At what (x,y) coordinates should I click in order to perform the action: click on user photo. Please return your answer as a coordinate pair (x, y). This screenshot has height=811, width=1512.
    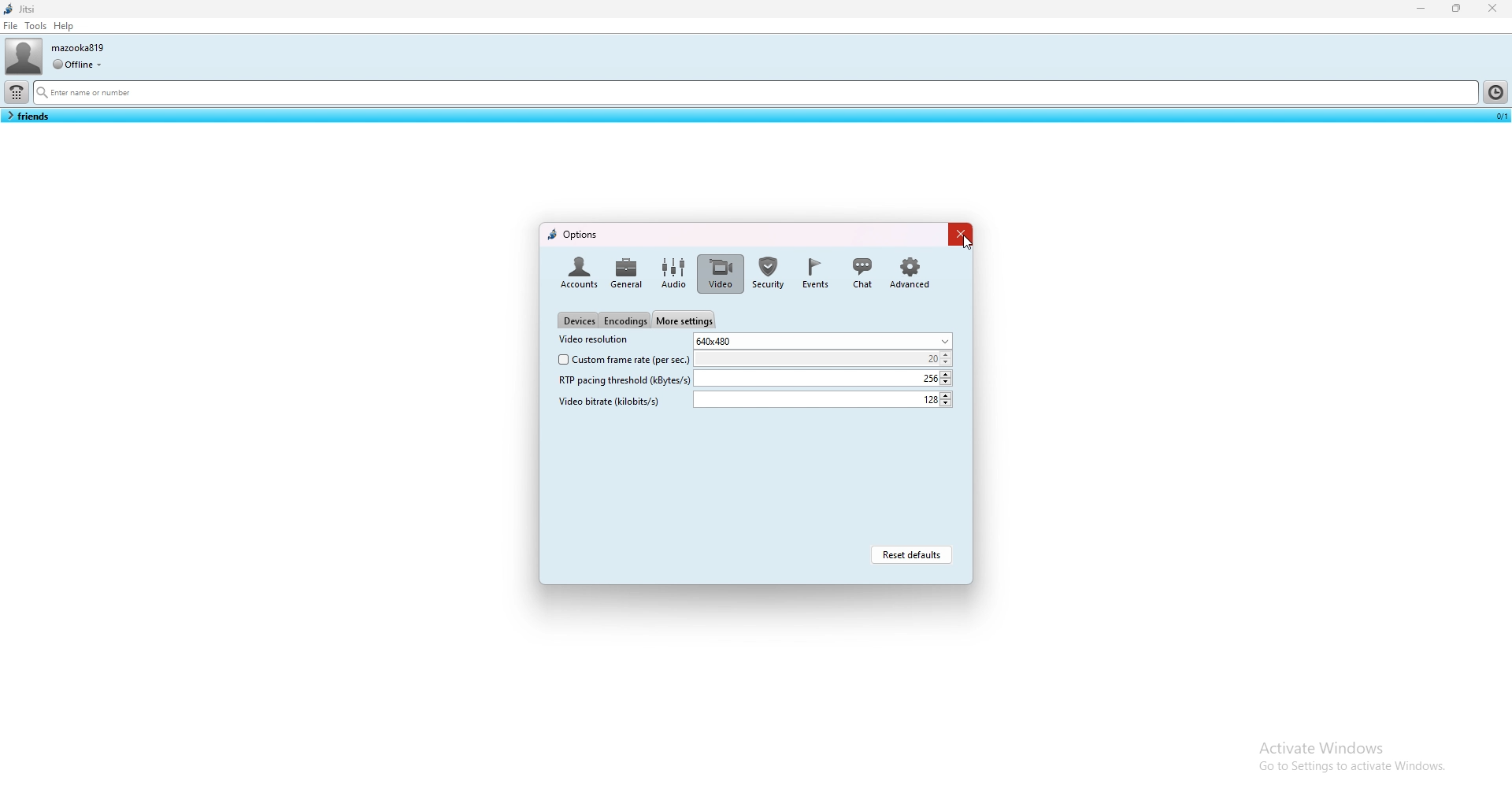
    Looking at the image, I should click on (23, 56).